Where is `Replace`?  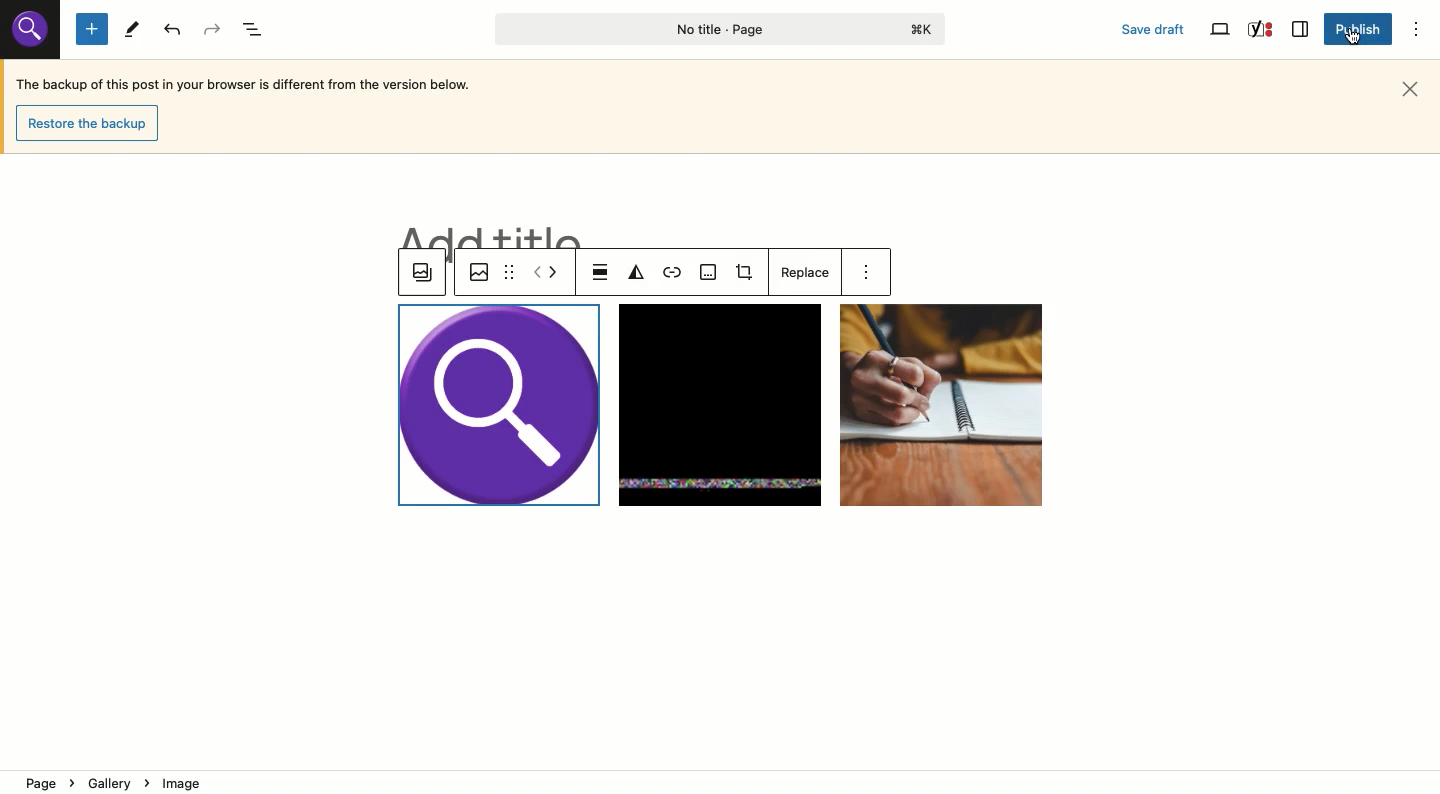
Replace is located at coordinates (802, 272).